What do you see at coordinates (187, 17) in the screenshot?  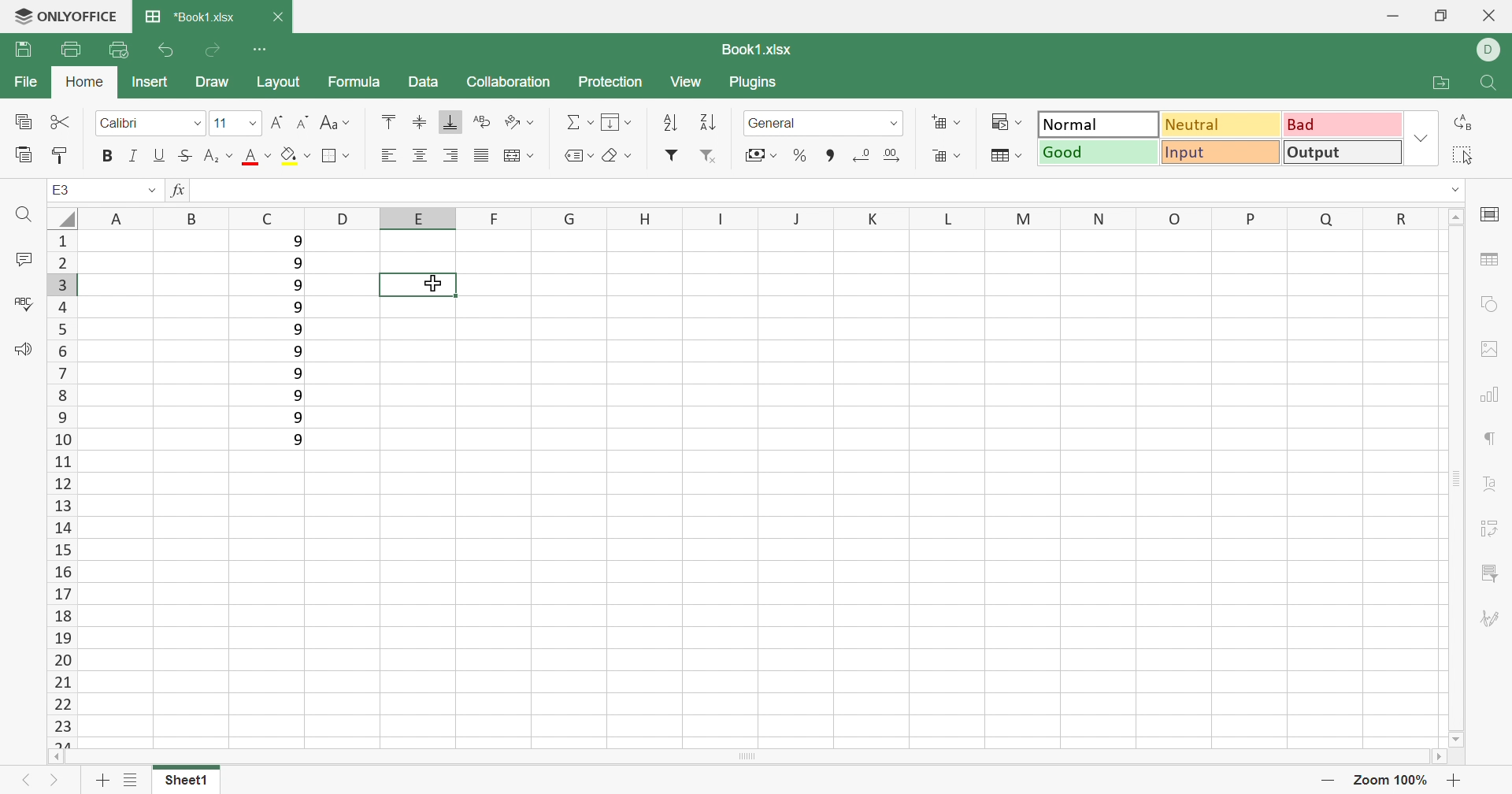 I see `*Book1.xlsx` at bounding box center [187, 17].